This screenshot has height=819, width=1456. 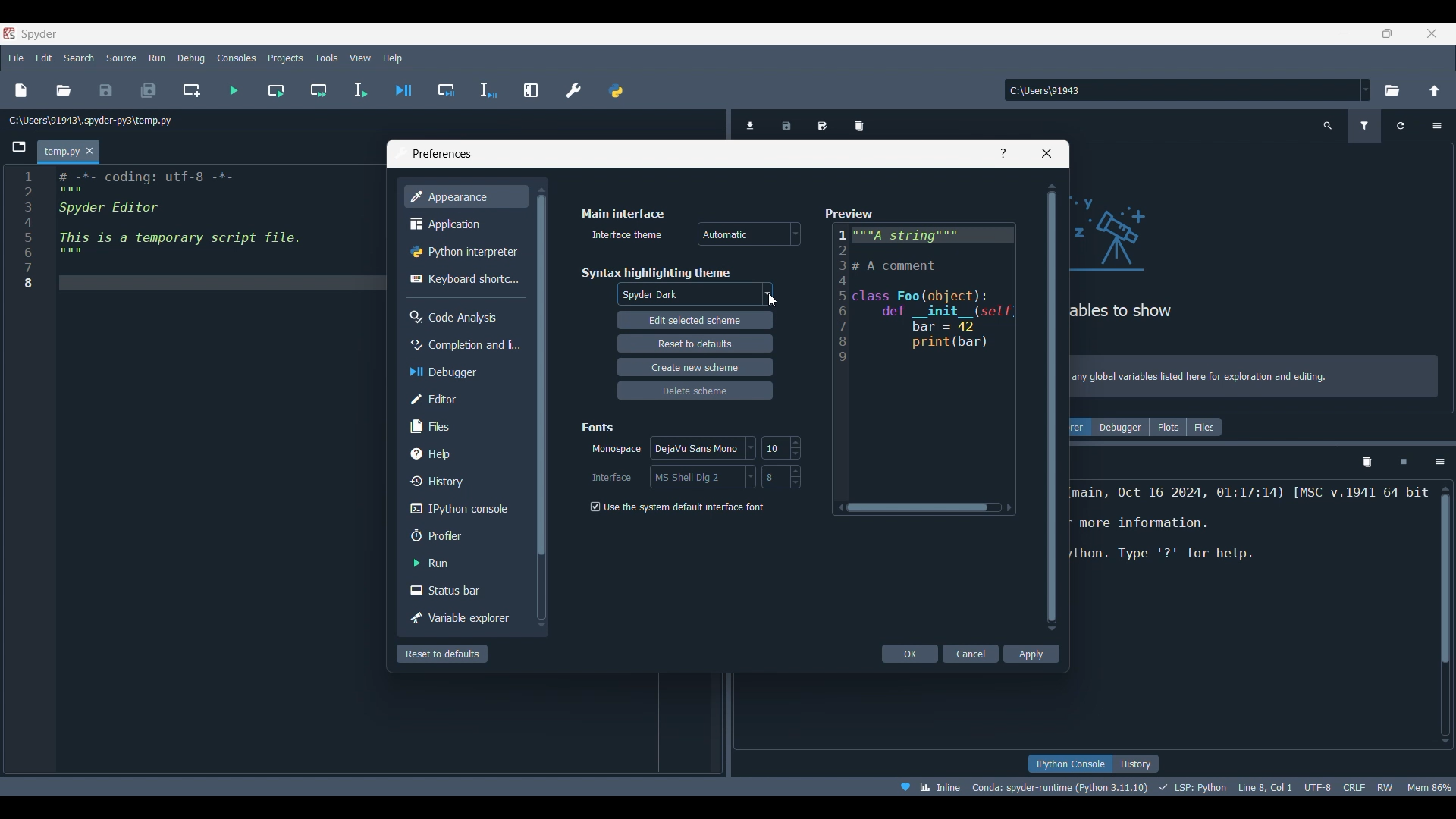 I want to click on Profiler, so click(x=465, y=535).